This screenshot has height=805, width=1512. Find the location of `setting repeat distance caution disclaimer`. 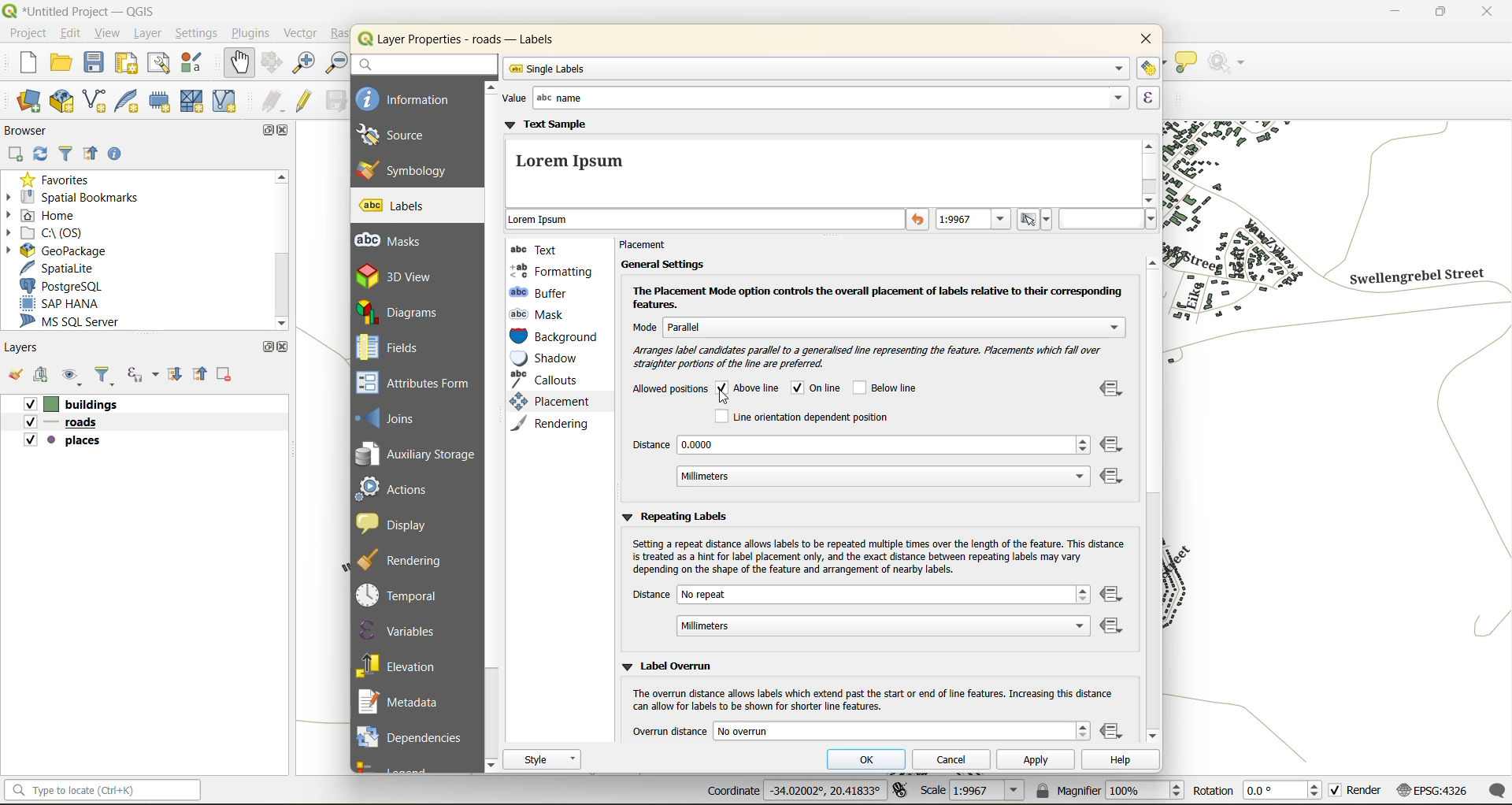

setting repeat distance caution disclaimer is located at coordinates (883, 556).